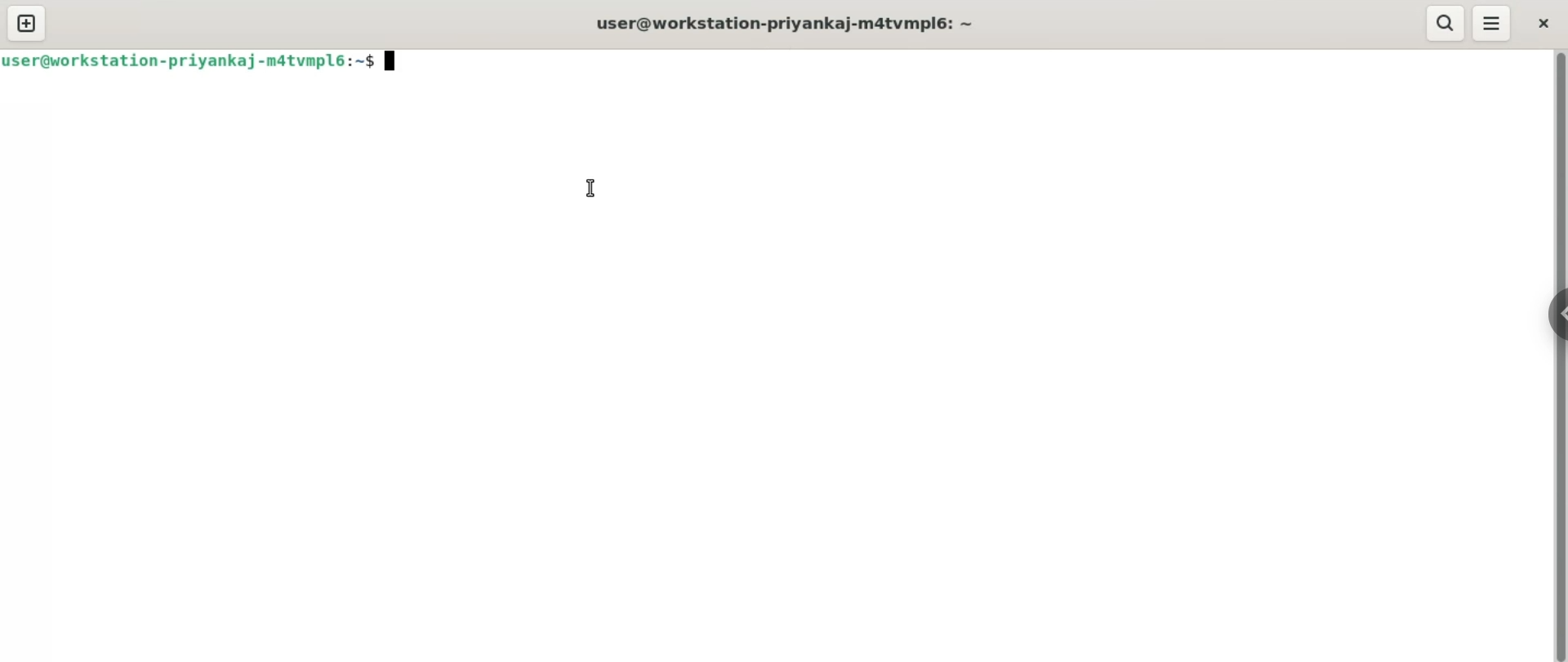  I want to click on  user@workstation-priyanka-m4tvmpl6:~, so click(203, 60).